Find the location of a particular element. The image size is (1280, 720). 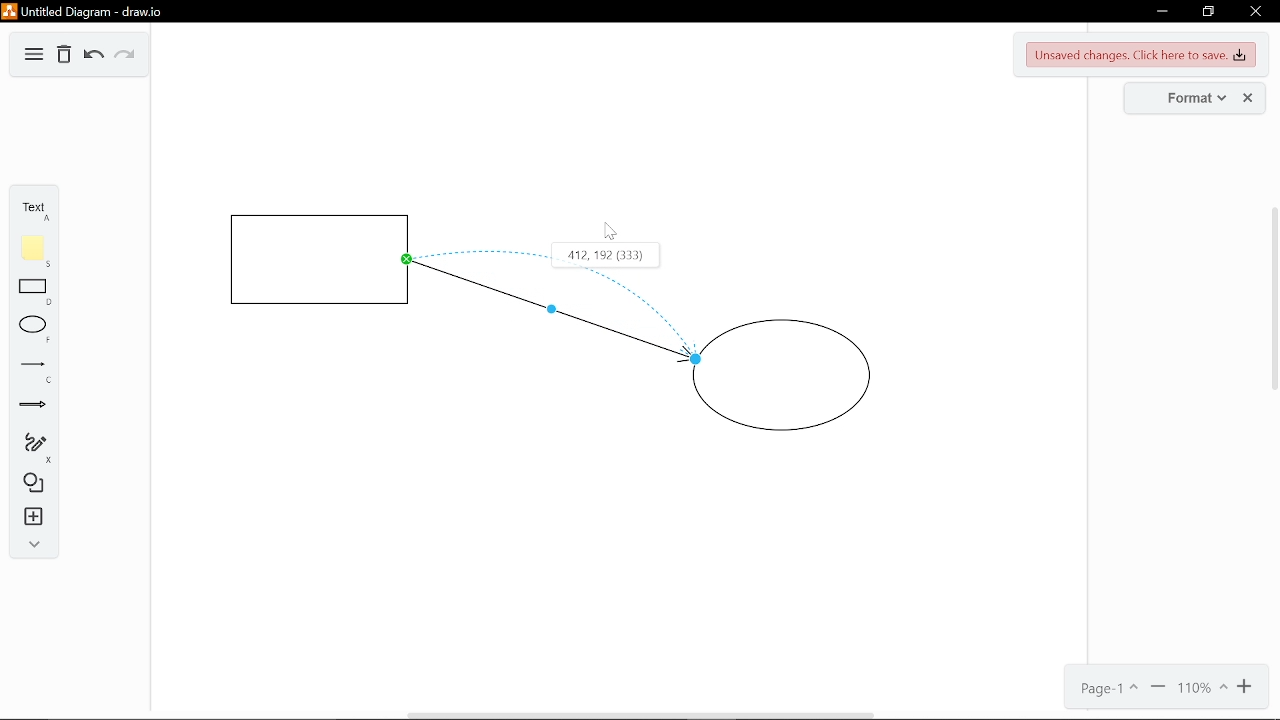

Expand/Collase is located at coordinates (31, 545).